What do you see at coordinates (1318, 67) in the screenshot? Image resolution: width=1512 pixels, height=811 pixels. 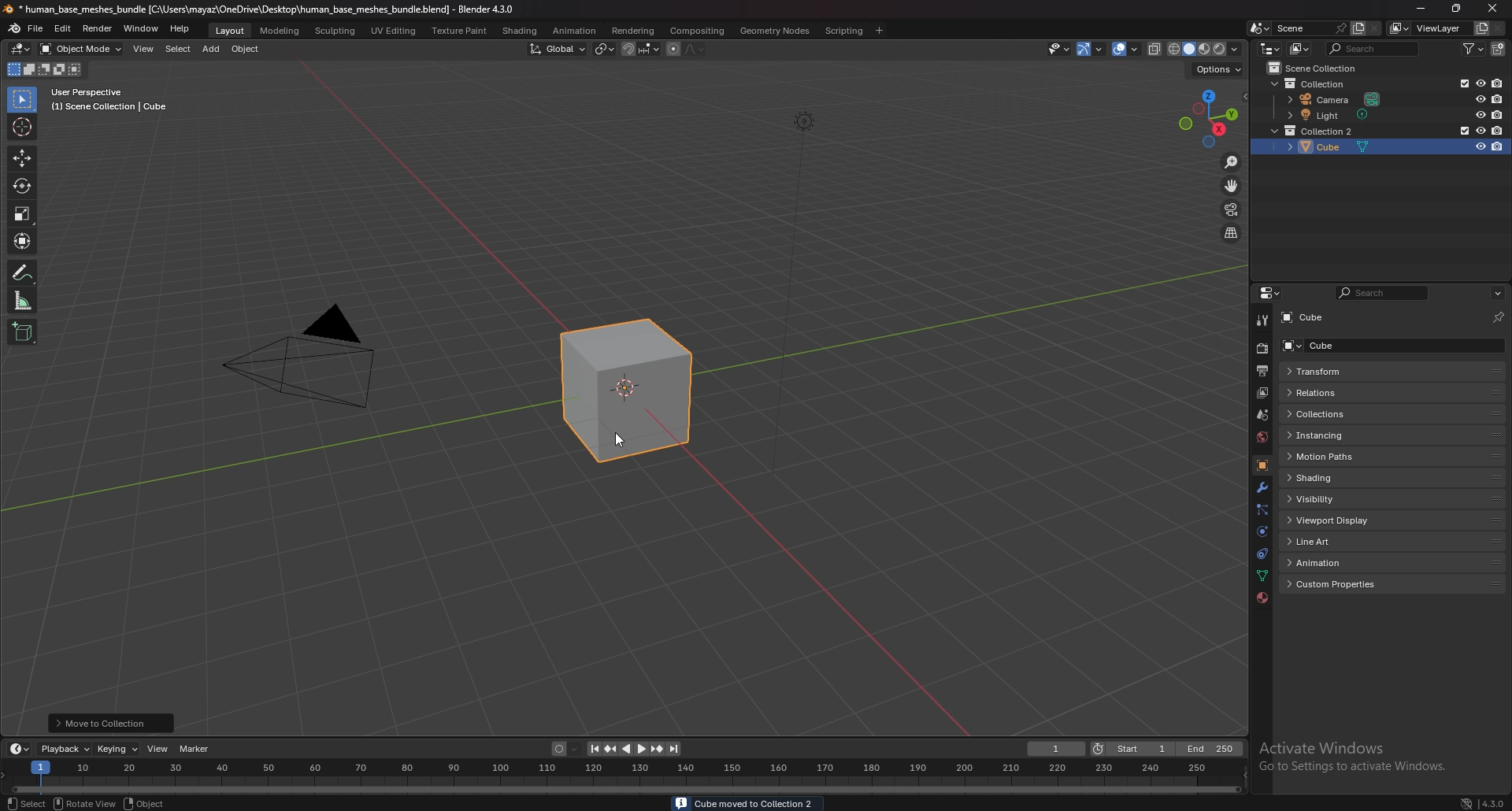 I see `scene collection` at bounding box center [1318, 67].